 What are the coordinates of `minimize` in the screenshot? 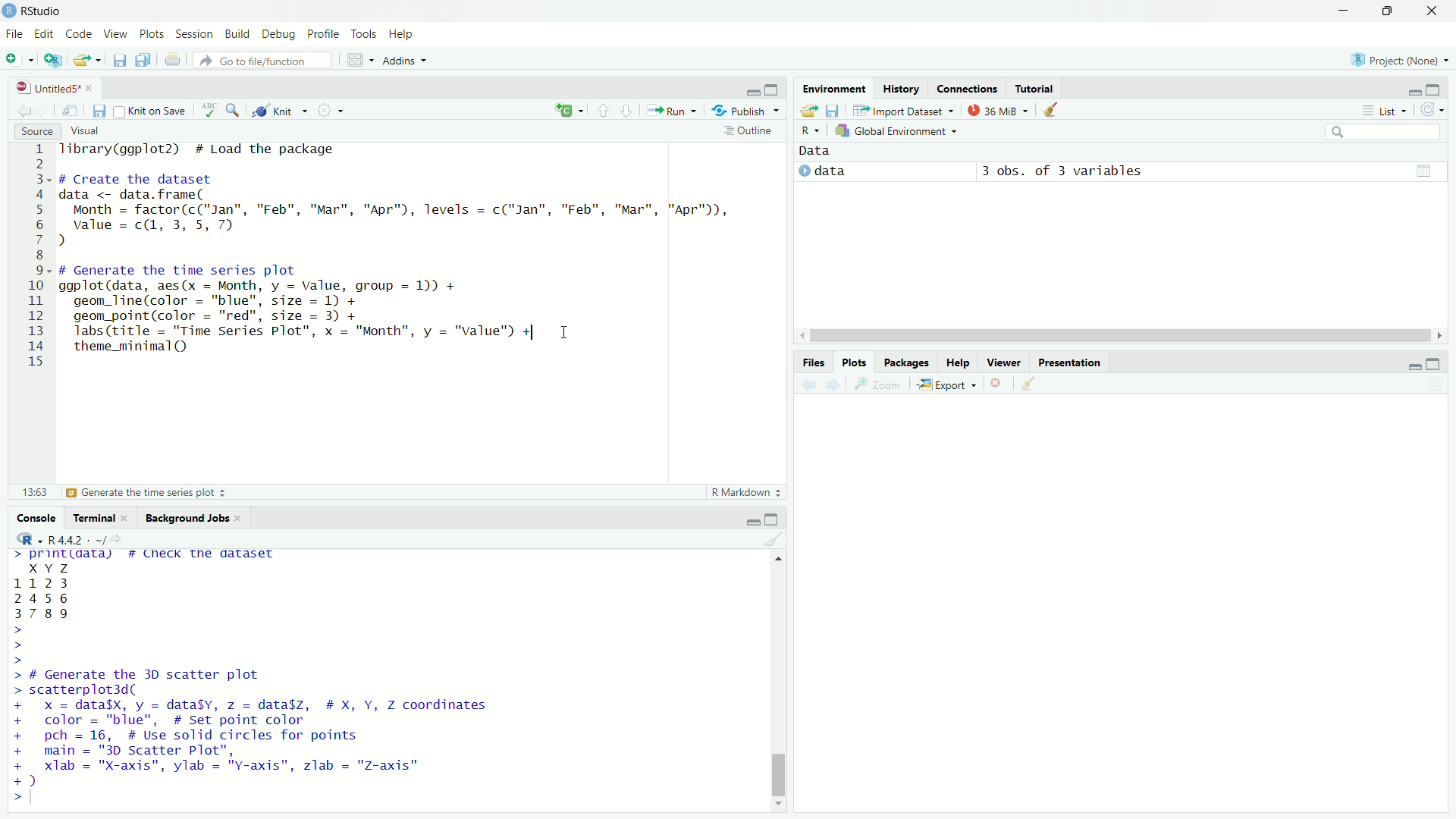 It's located at (1413, 89).